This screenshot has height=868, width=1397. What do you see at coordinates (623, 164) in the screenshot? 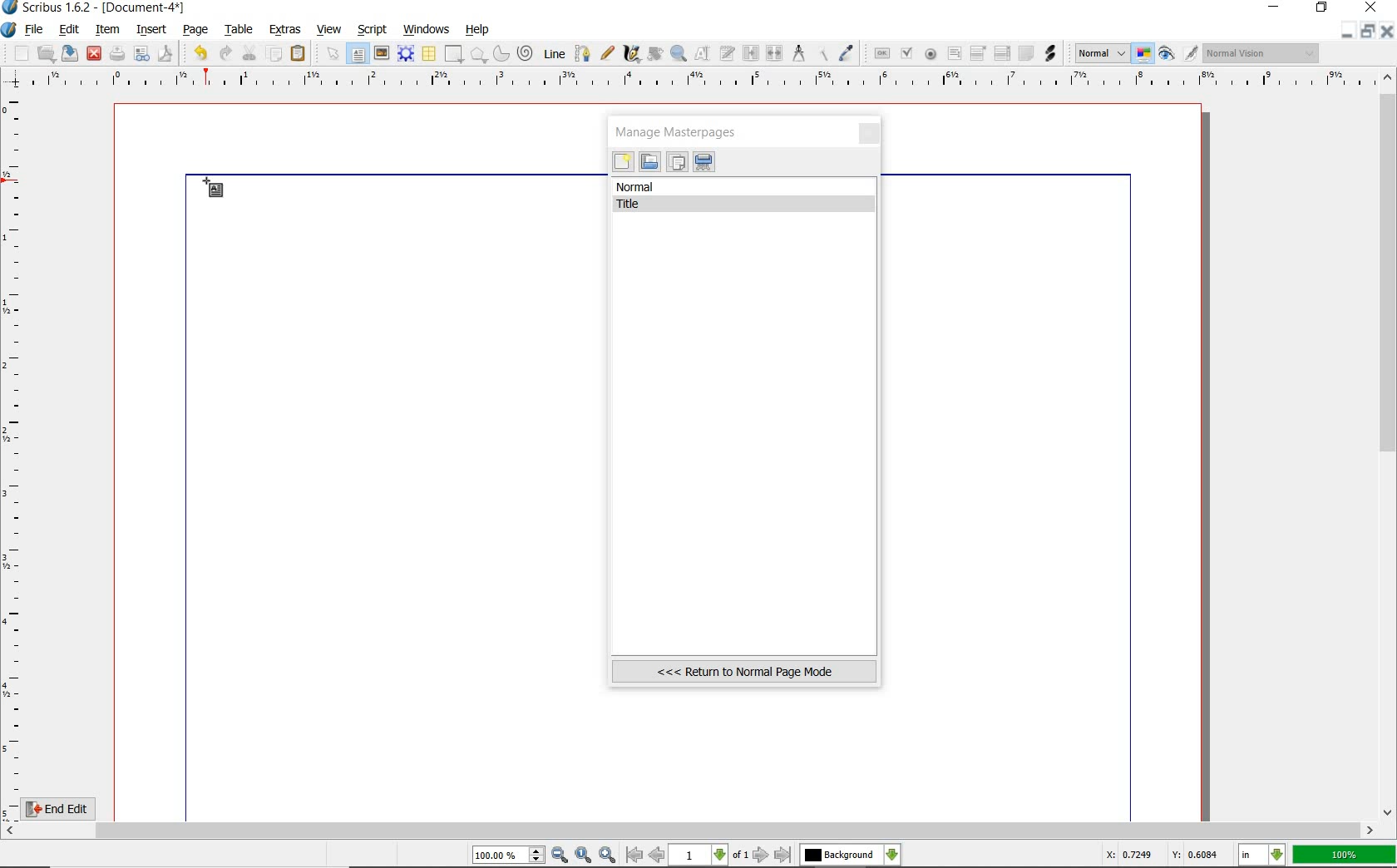
I see `new` at bounding box center [623, 164].